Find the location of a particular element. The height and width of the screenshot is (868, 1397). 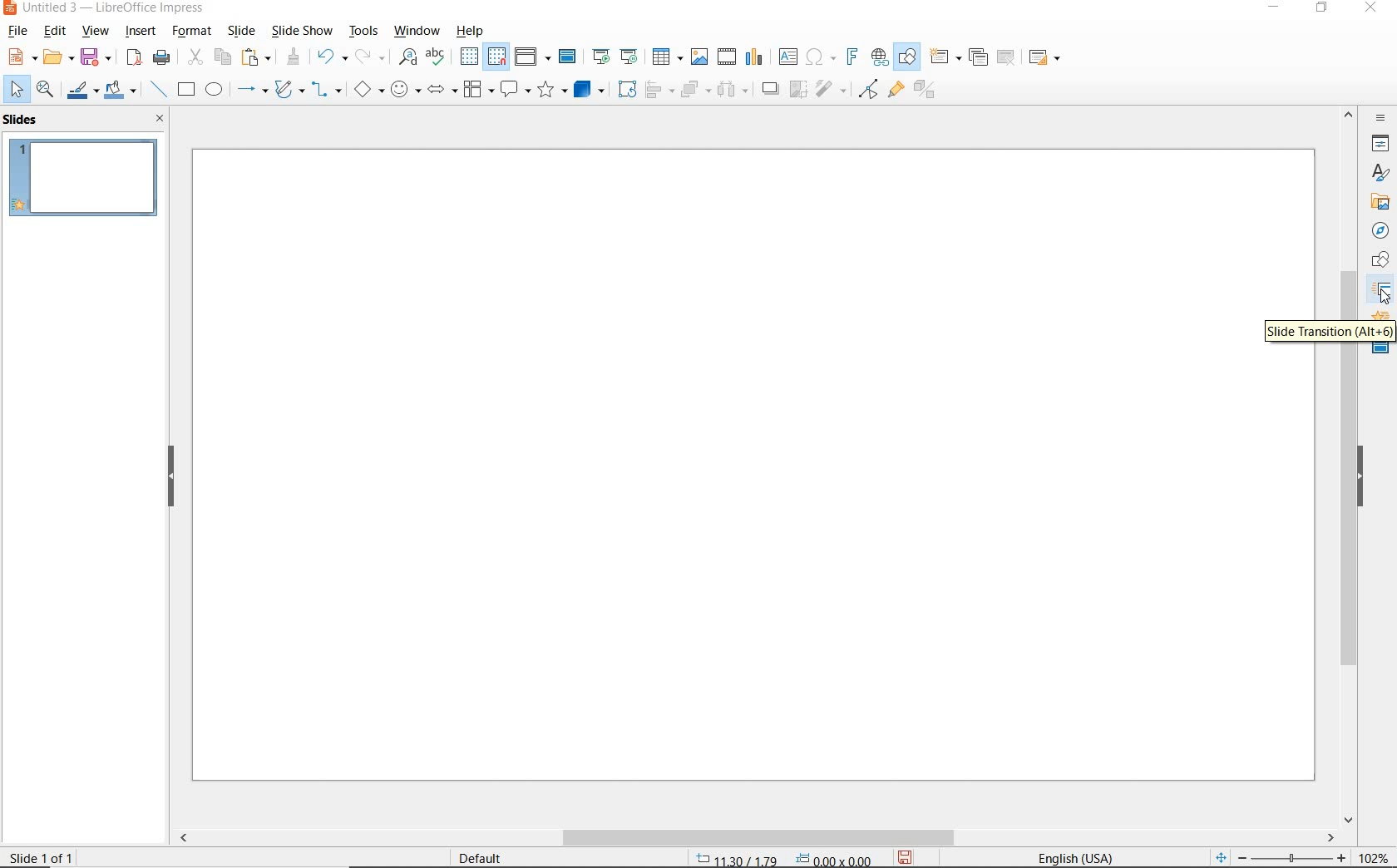

SHOW GLUE POINT FUNCTIONS is located at coordinates (898, 91).